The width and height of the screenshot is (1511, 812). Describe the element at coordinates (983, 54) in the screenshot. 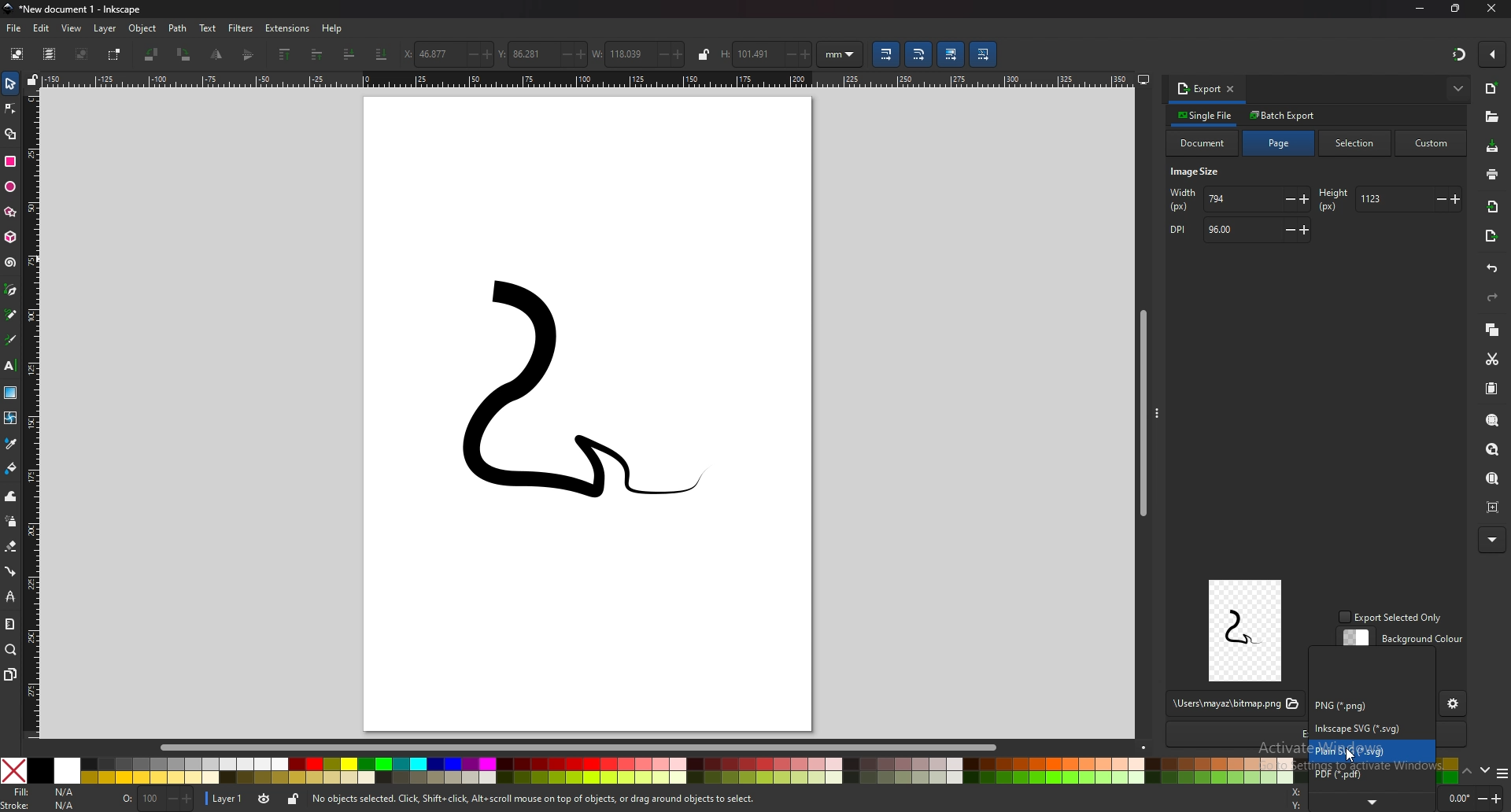

I see `move patterns` at that location.